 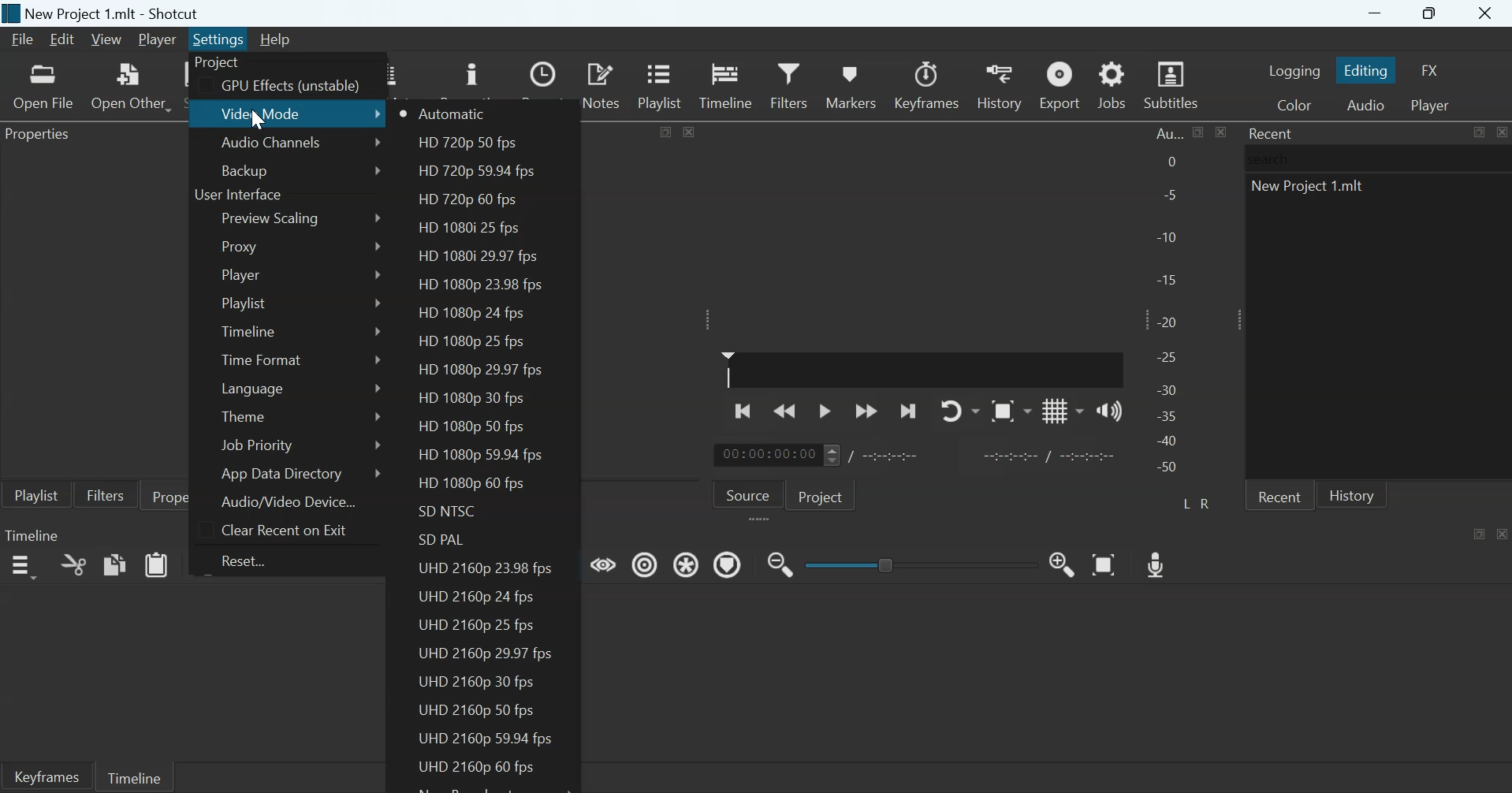 I want to click on Play quickly forward, so click(x=866, y=411).